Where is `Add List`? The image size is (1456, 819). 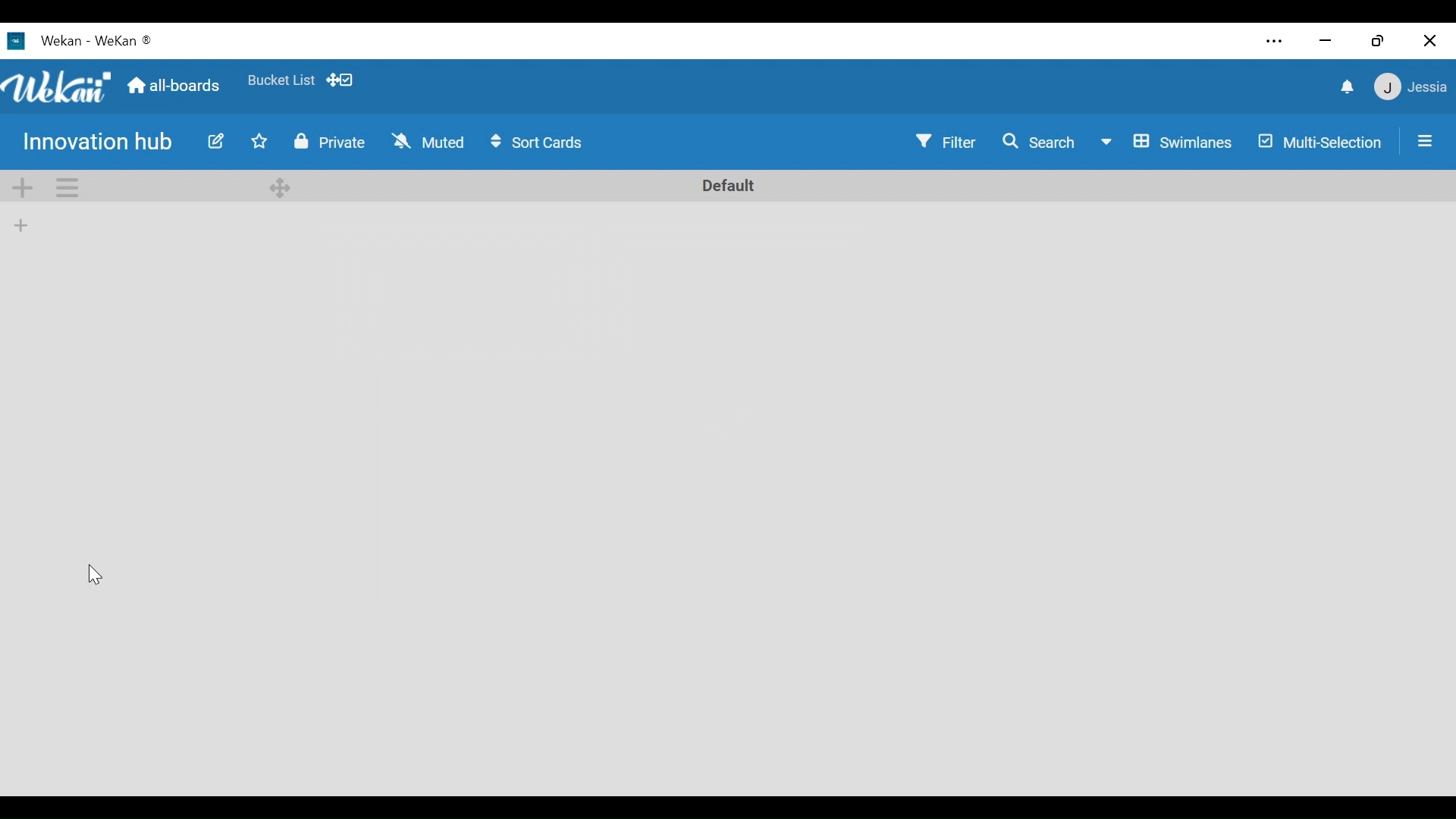 Add List is located at coordinates (22, 224).